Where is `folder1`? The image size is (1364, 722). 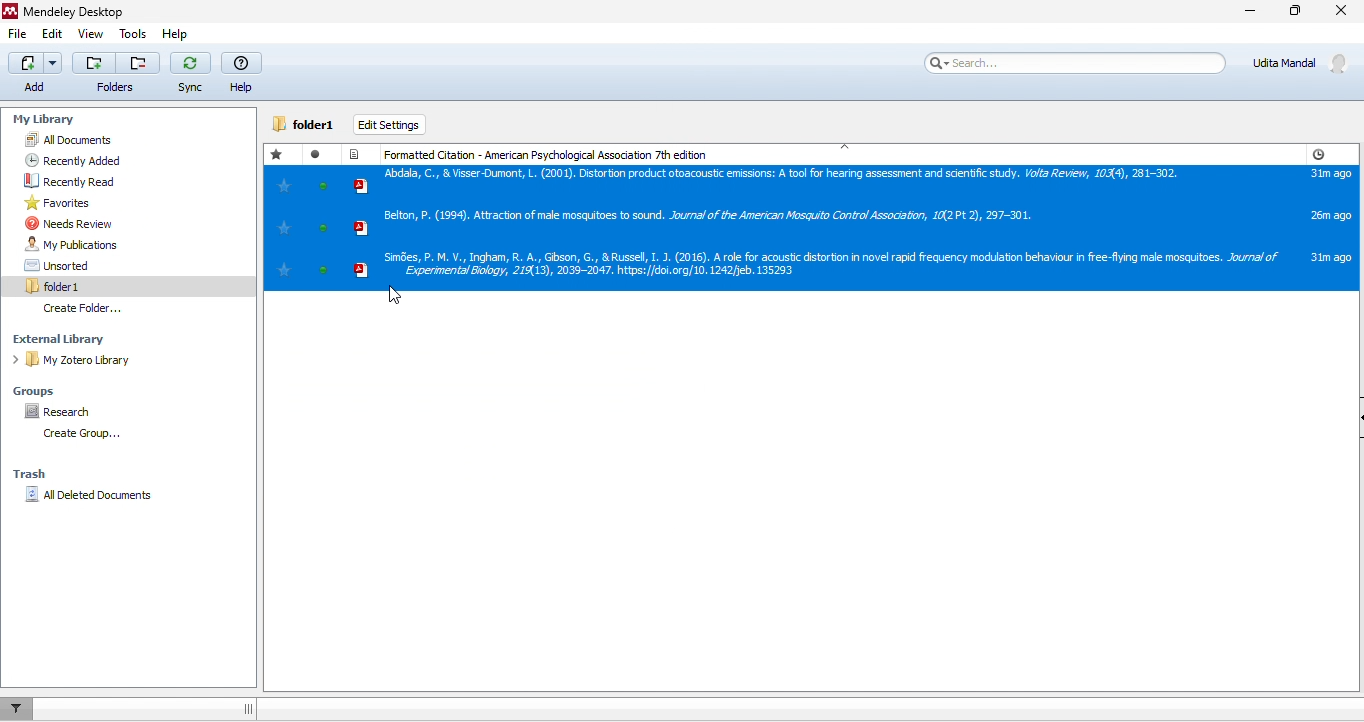
folder1 is located at coordinates (78, 284).